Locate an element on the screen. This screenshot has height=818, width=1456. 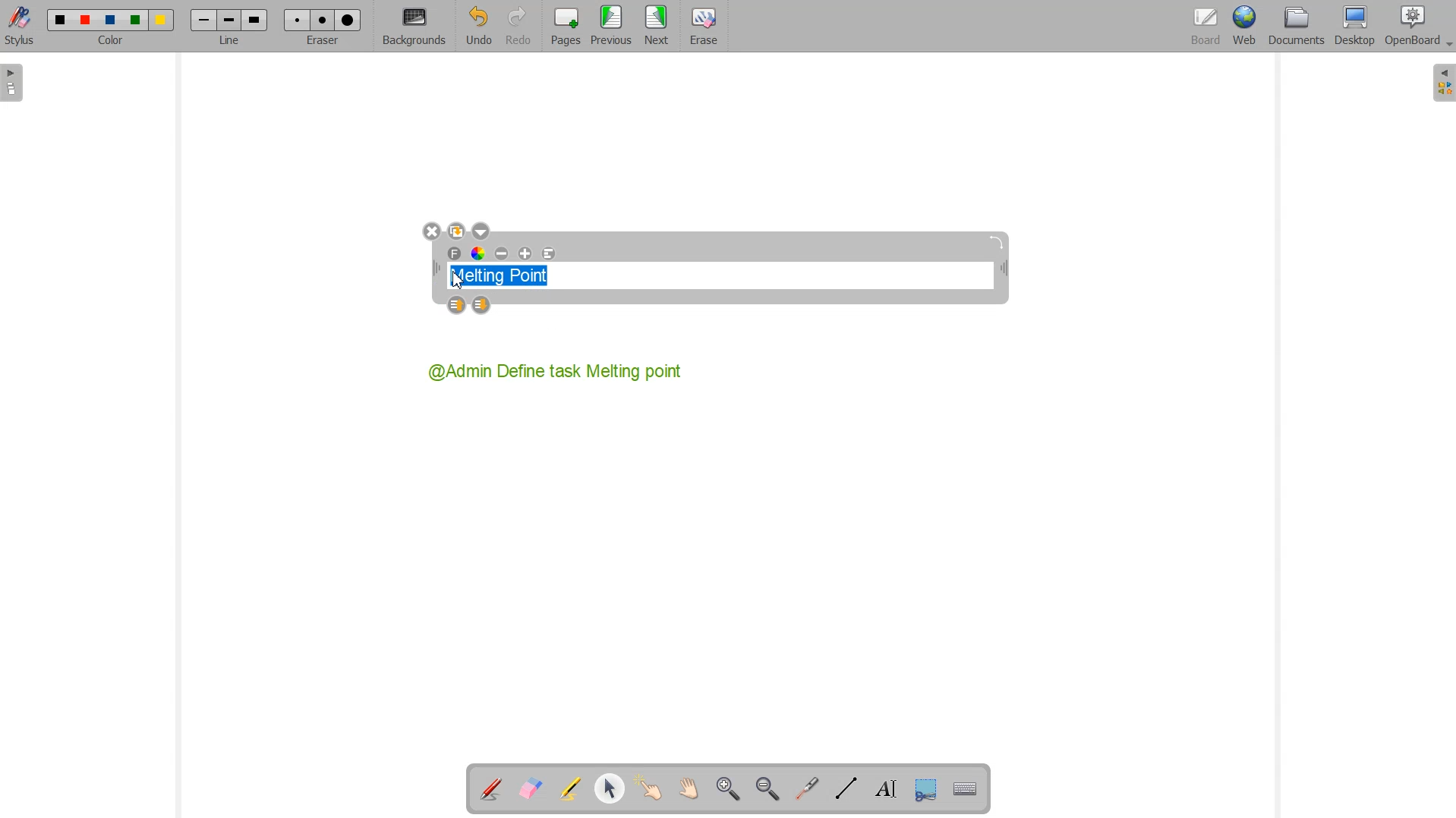
Draw lines is located at coordinates (846, 788).